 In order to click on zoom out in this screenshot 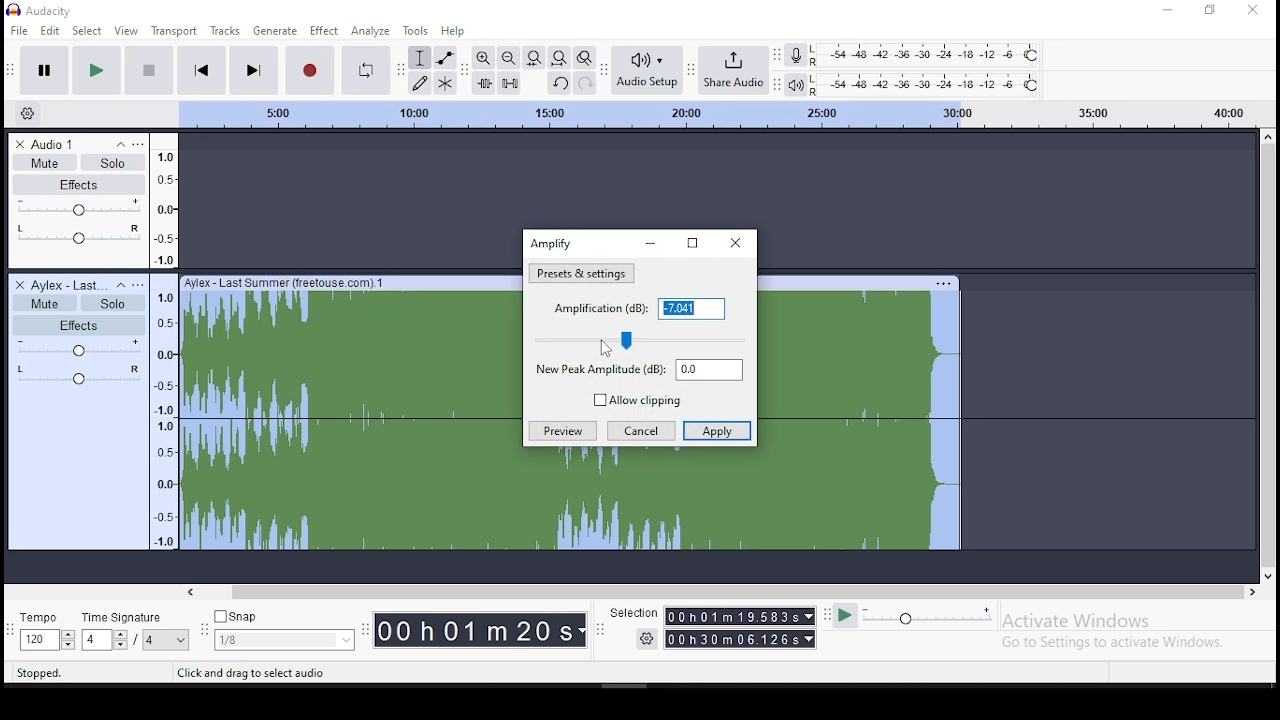, I will do `click(508, 57)`.